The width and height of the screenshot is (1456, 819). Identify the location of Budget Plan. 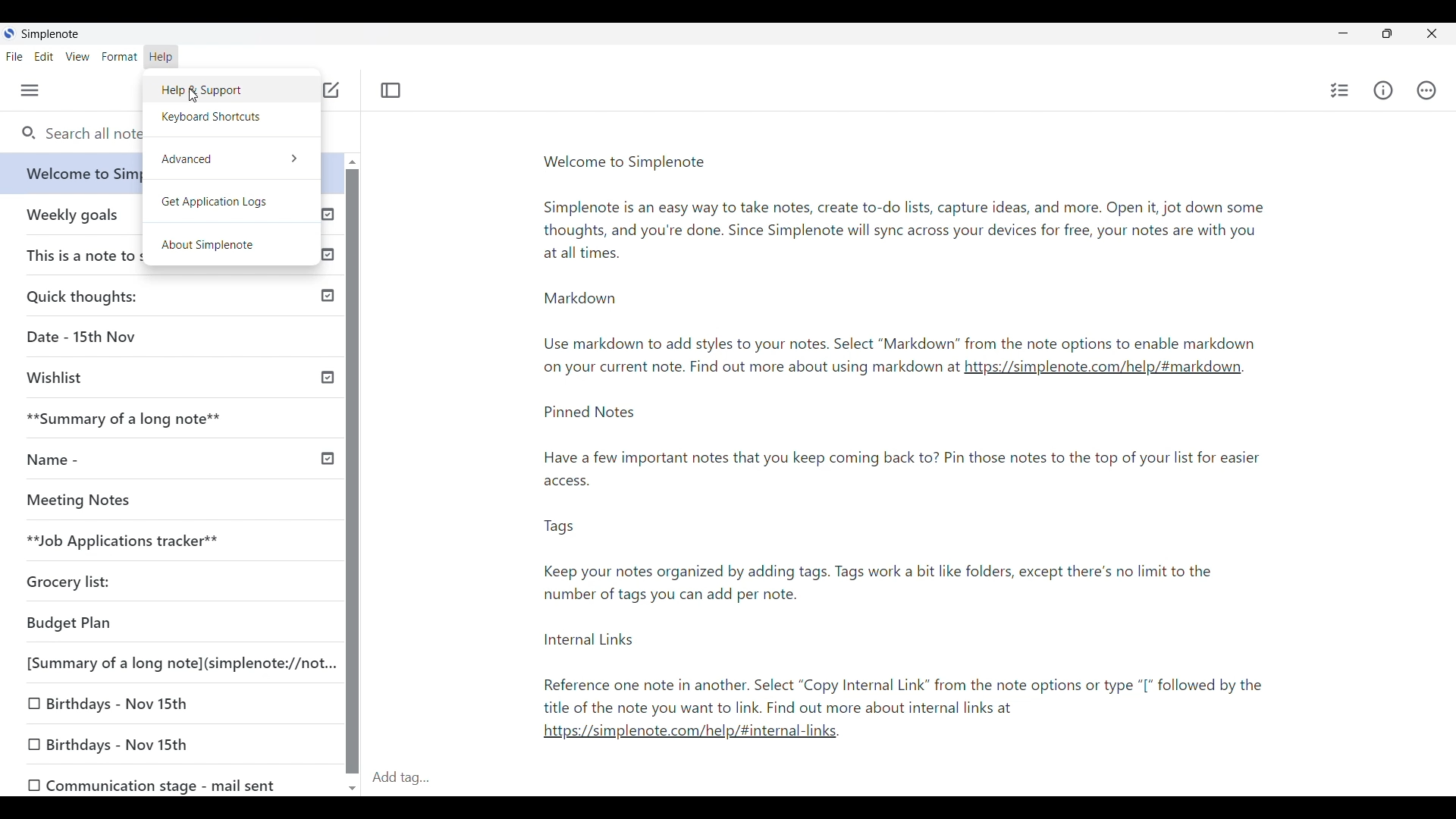
(86, 623).